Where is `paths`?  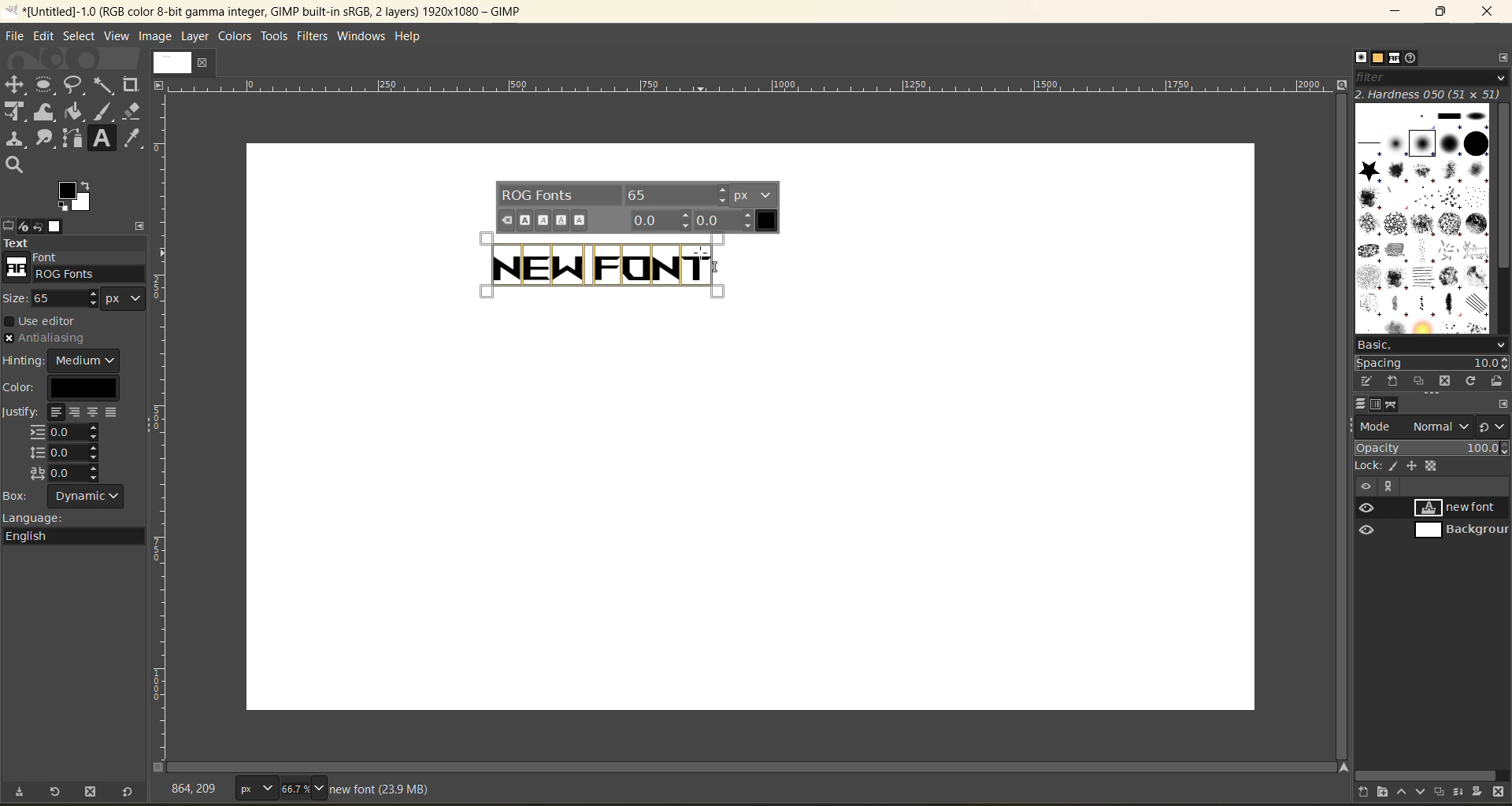
paths is located at coordinates (1392, 405).